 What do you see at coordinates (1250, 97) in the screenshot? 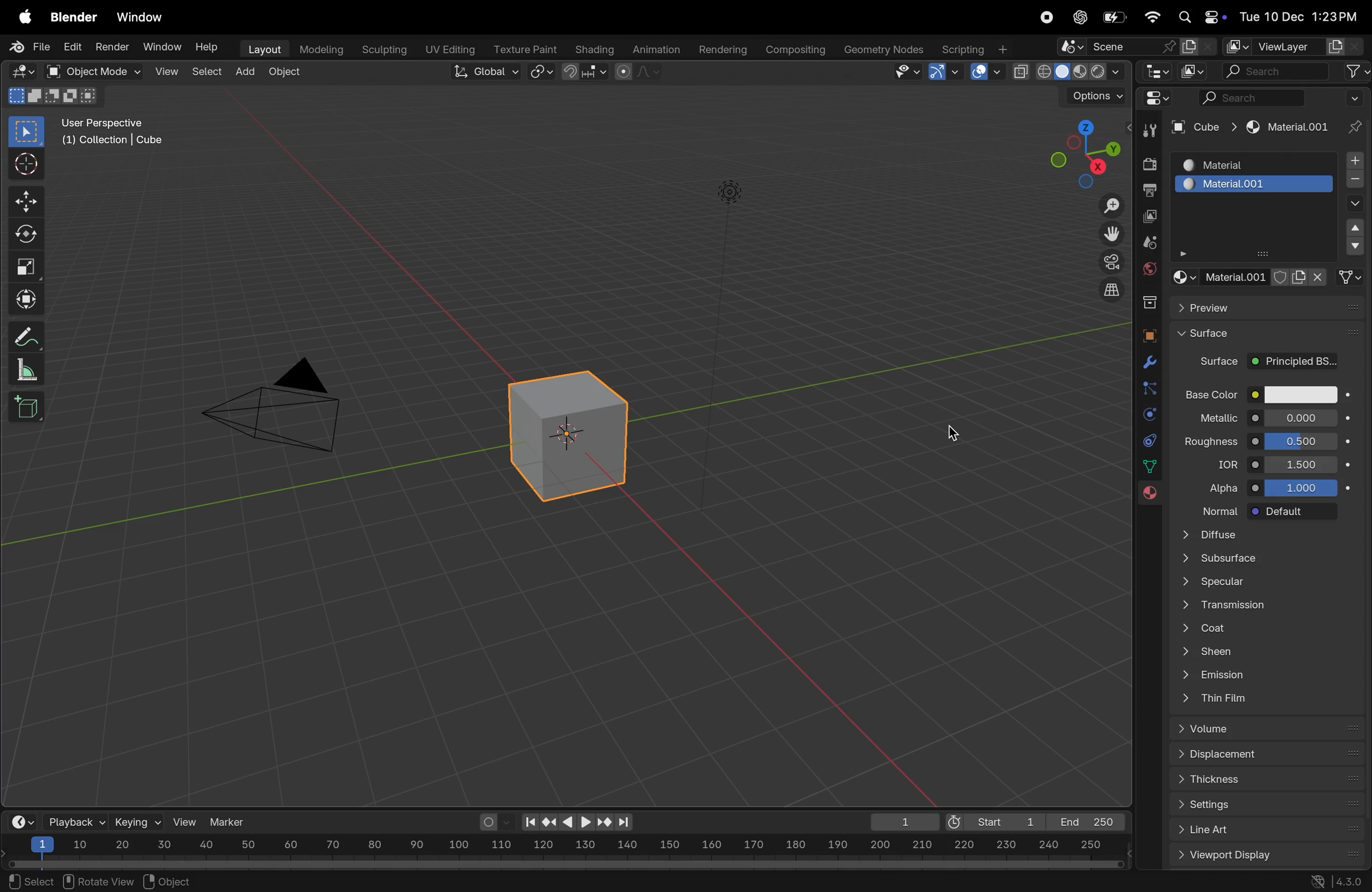
I see `Search` at bounding box center [1250, 97].